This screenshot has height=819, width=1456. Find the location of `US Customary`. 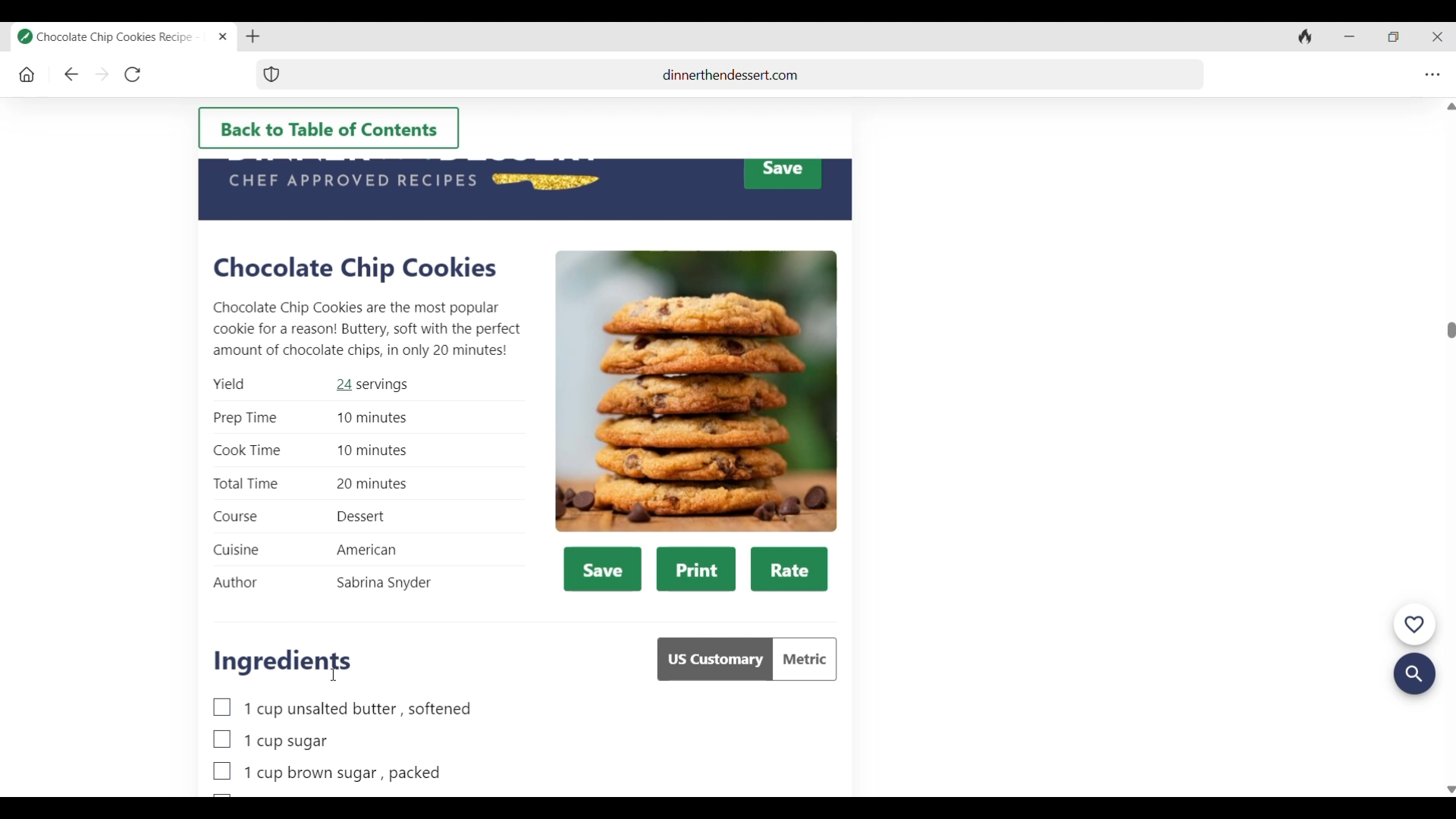

US Customary is located at coordinates (714, 659).